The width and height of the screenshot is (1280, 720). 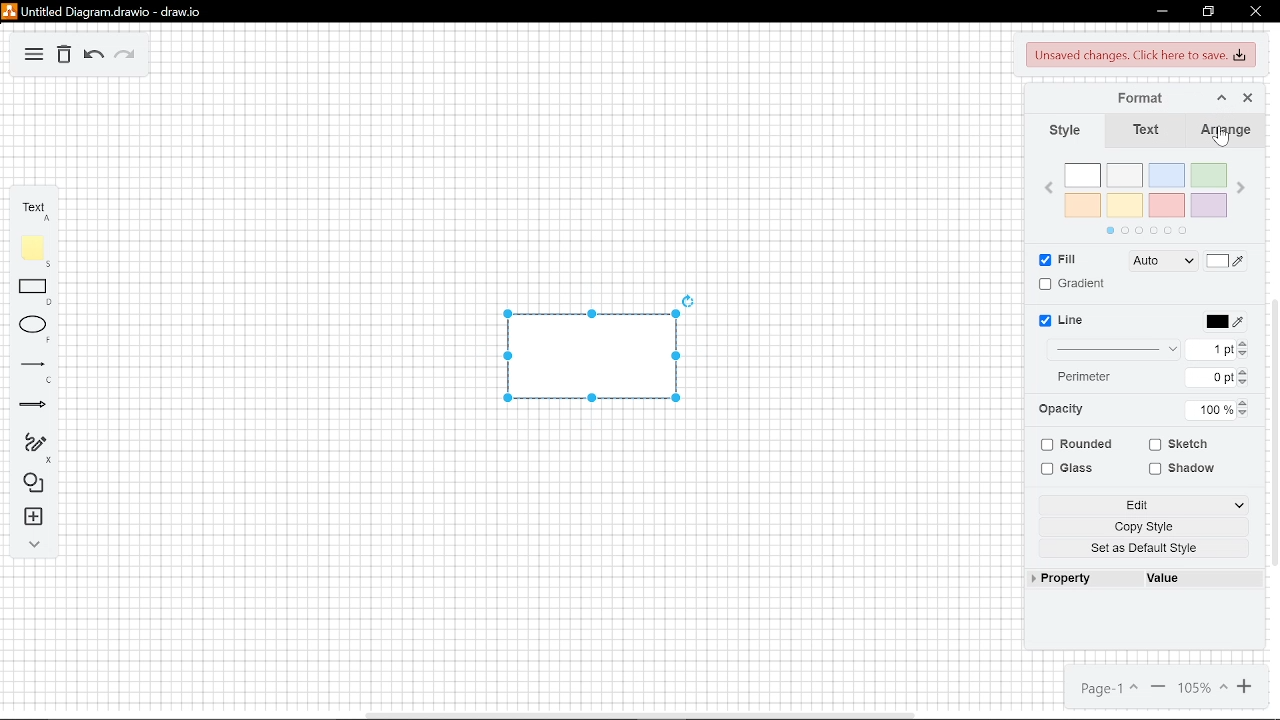 What do you see at coordinates (1242, 185) in the screenshot?
I see `next` at bounding box center [1242, 185].